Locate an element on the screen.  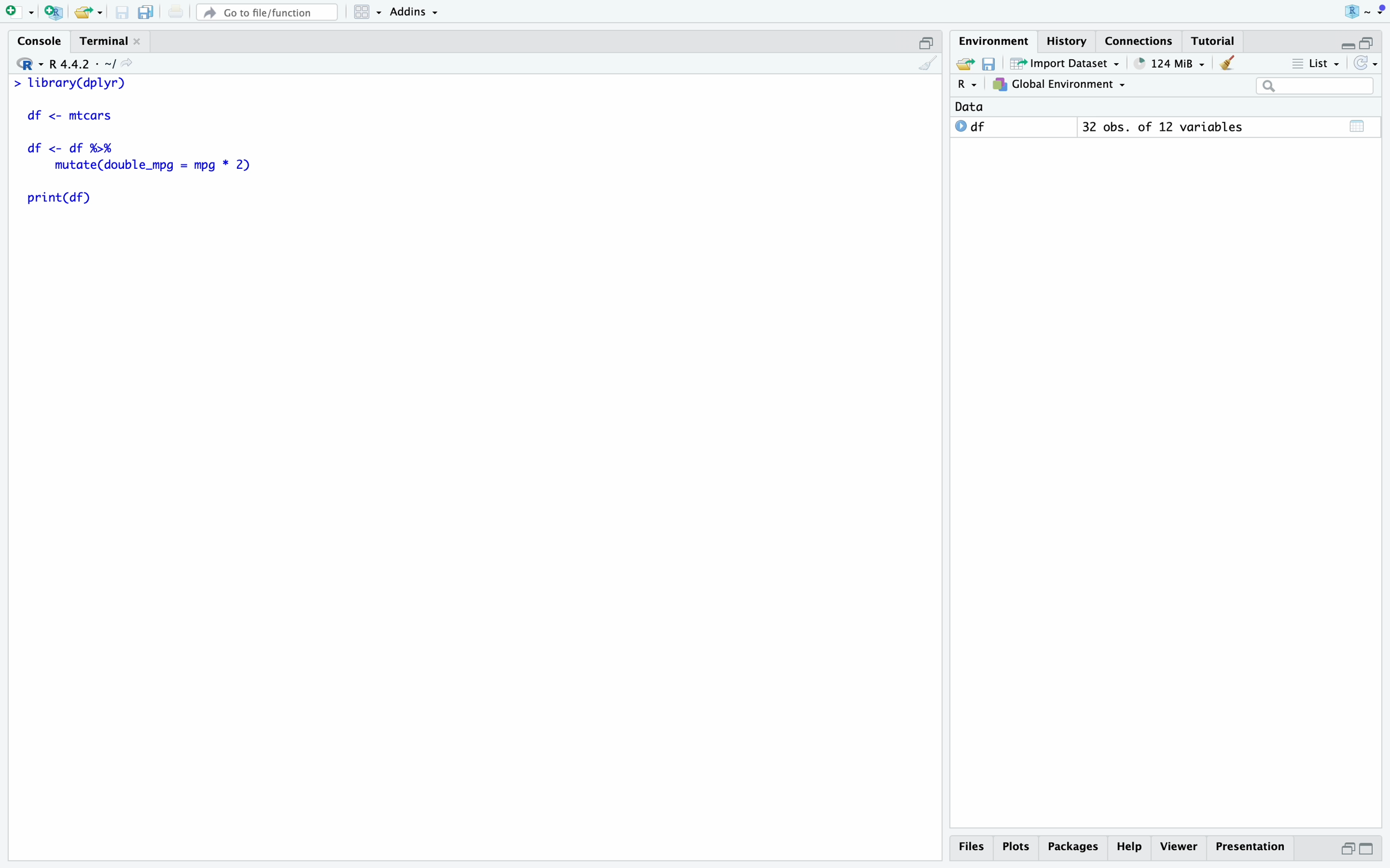
Sync is located at coordinates (1366, 63).